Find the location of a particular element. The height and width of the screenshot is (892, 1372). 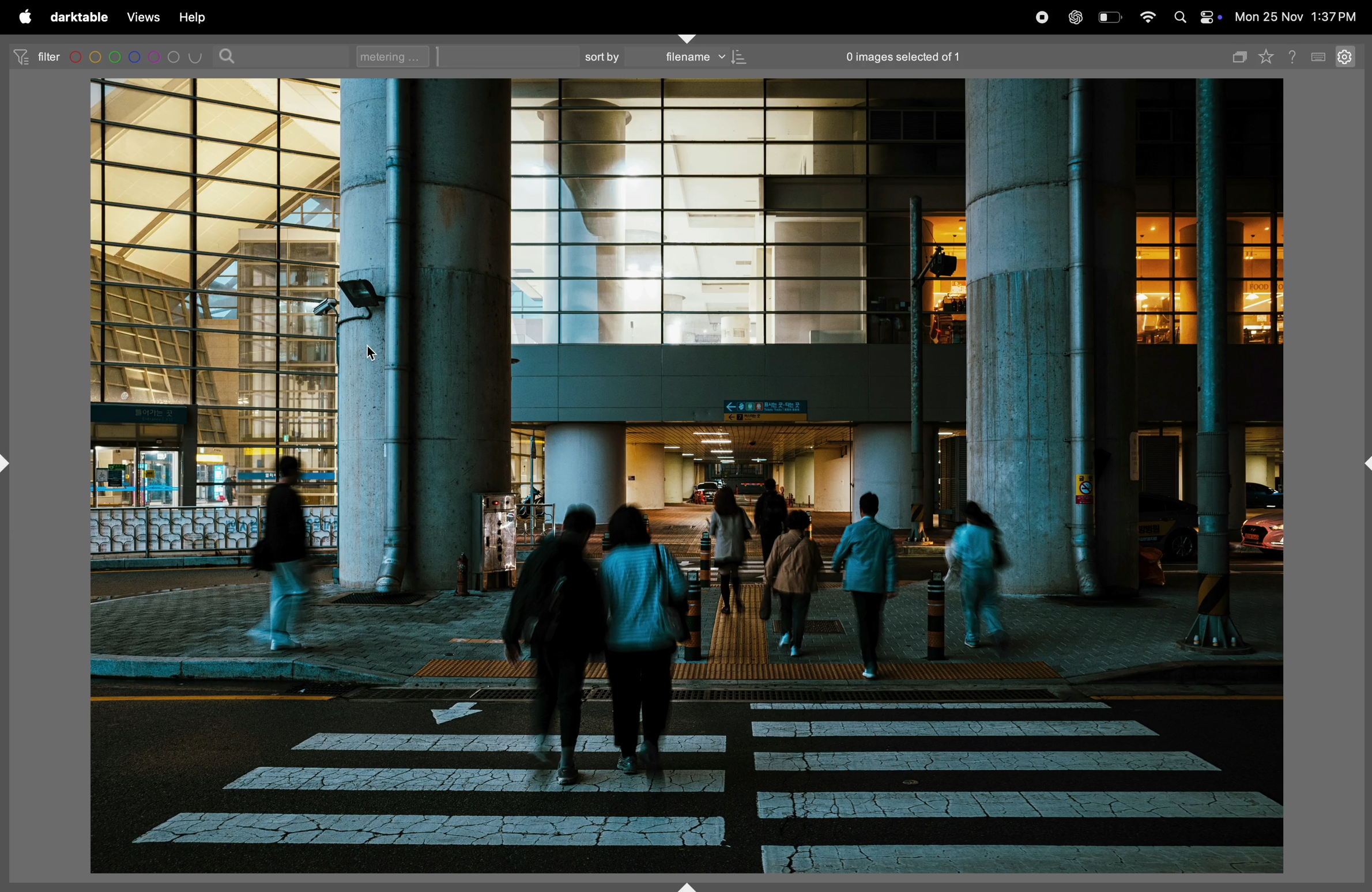

chatgpt is located at coordinates (1079, 16).